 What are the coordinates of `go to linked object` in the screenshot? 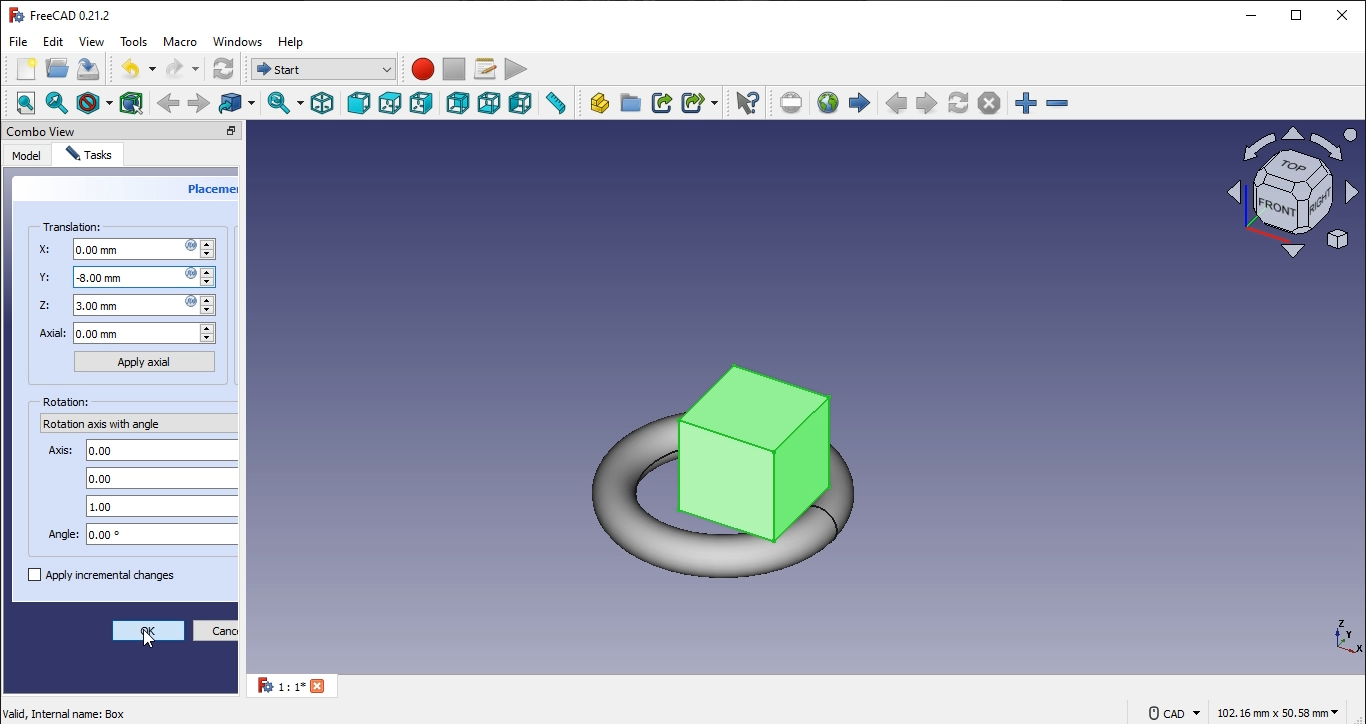 It's located at (238, 103).